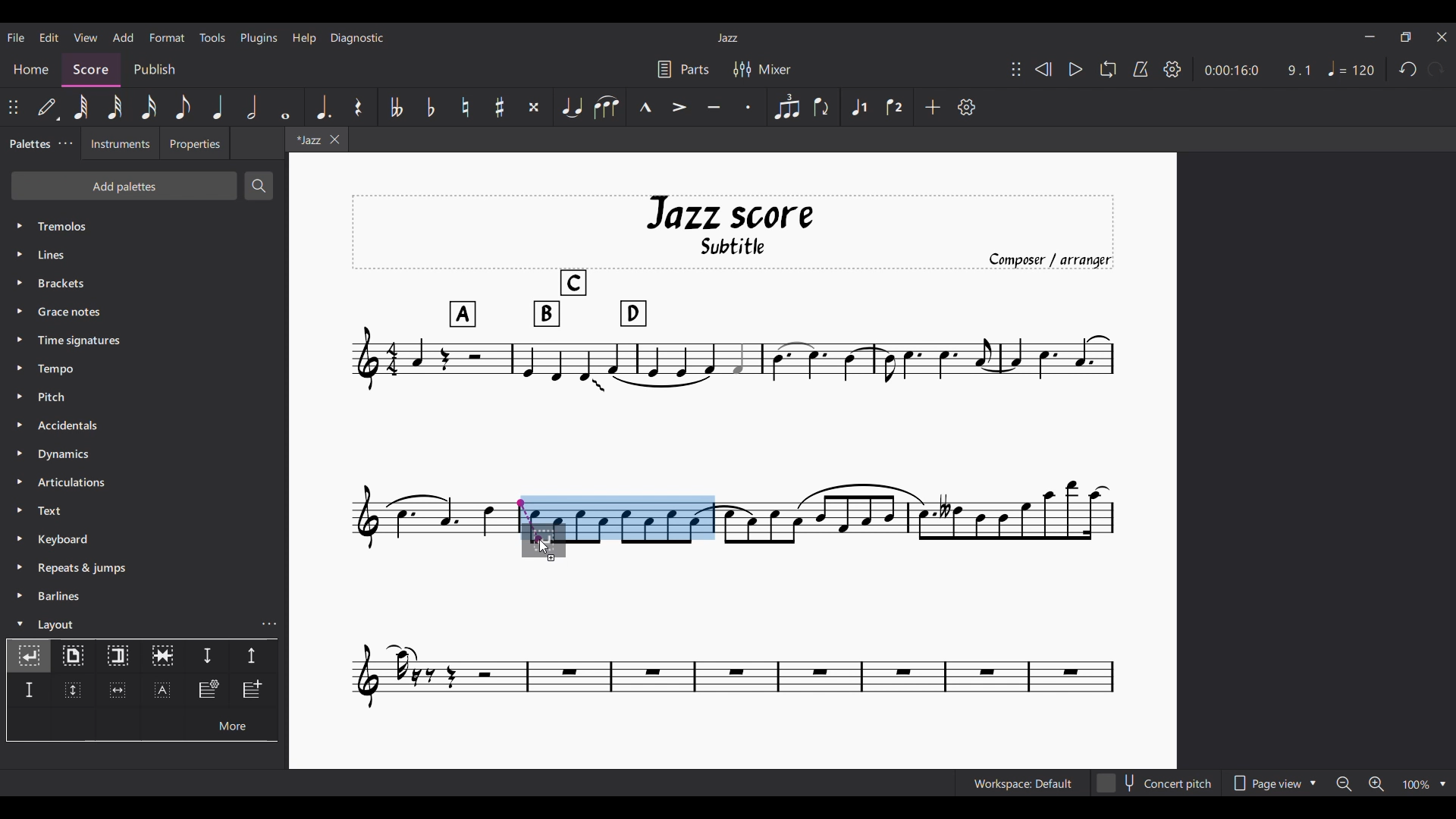 The image size is (1456, 819). Describe the element at coordinates (1408, 69) in the screenshot. I see `Undo` at that location.